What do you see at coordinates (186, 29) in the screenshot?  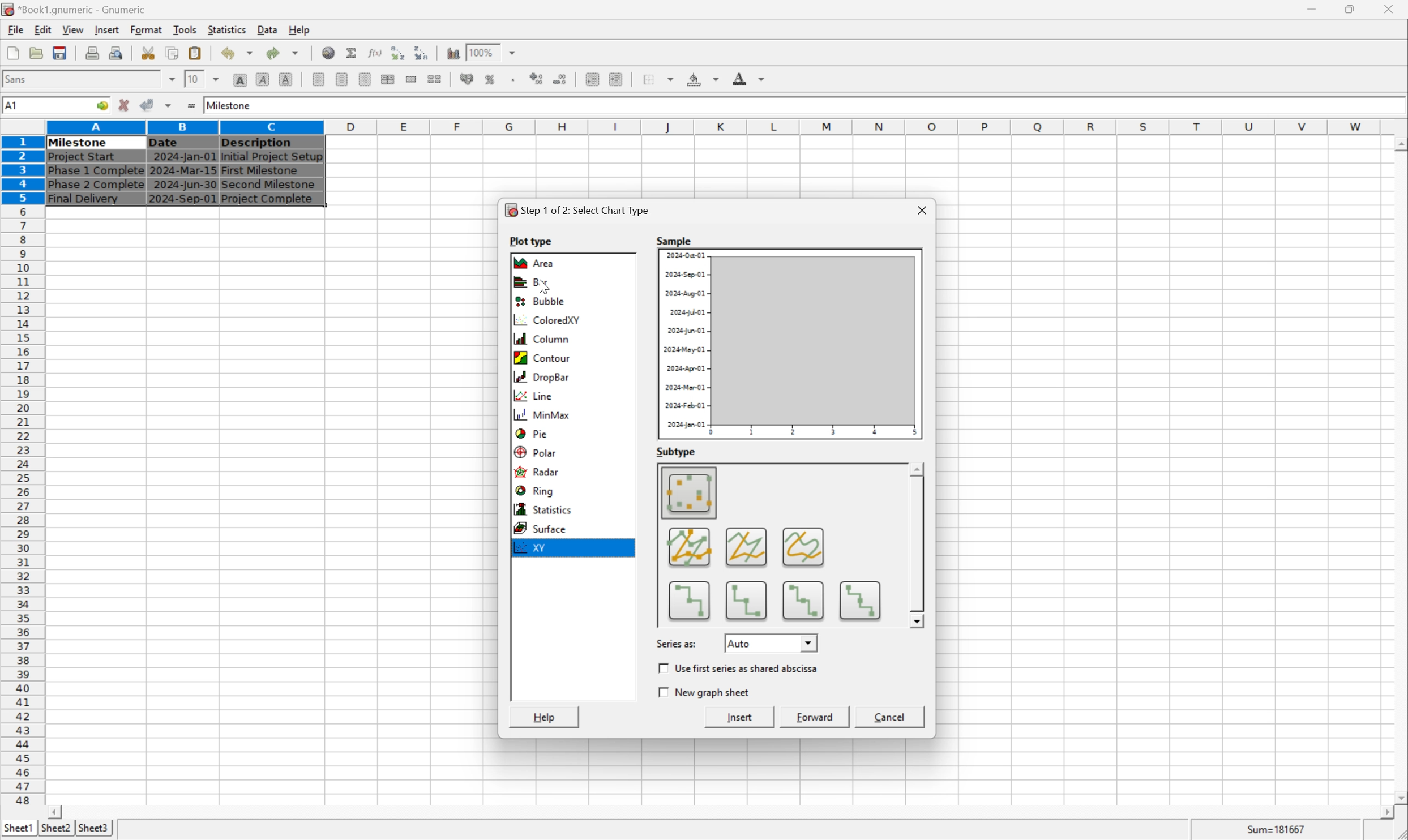 I see `tools` at bounding box center [186, 29].